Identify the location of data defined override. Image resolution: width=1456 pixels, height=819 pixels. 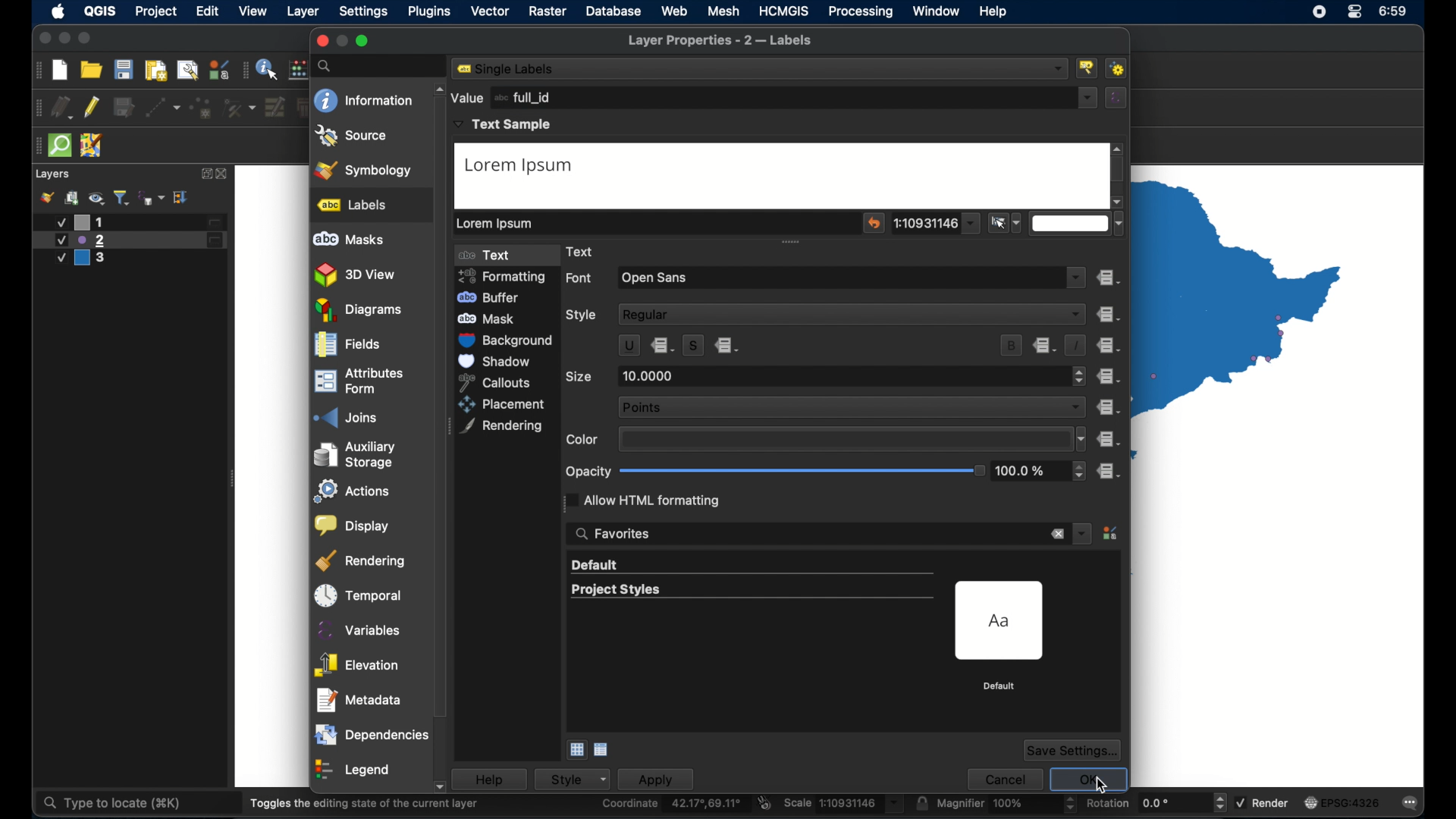
(1107, 407).